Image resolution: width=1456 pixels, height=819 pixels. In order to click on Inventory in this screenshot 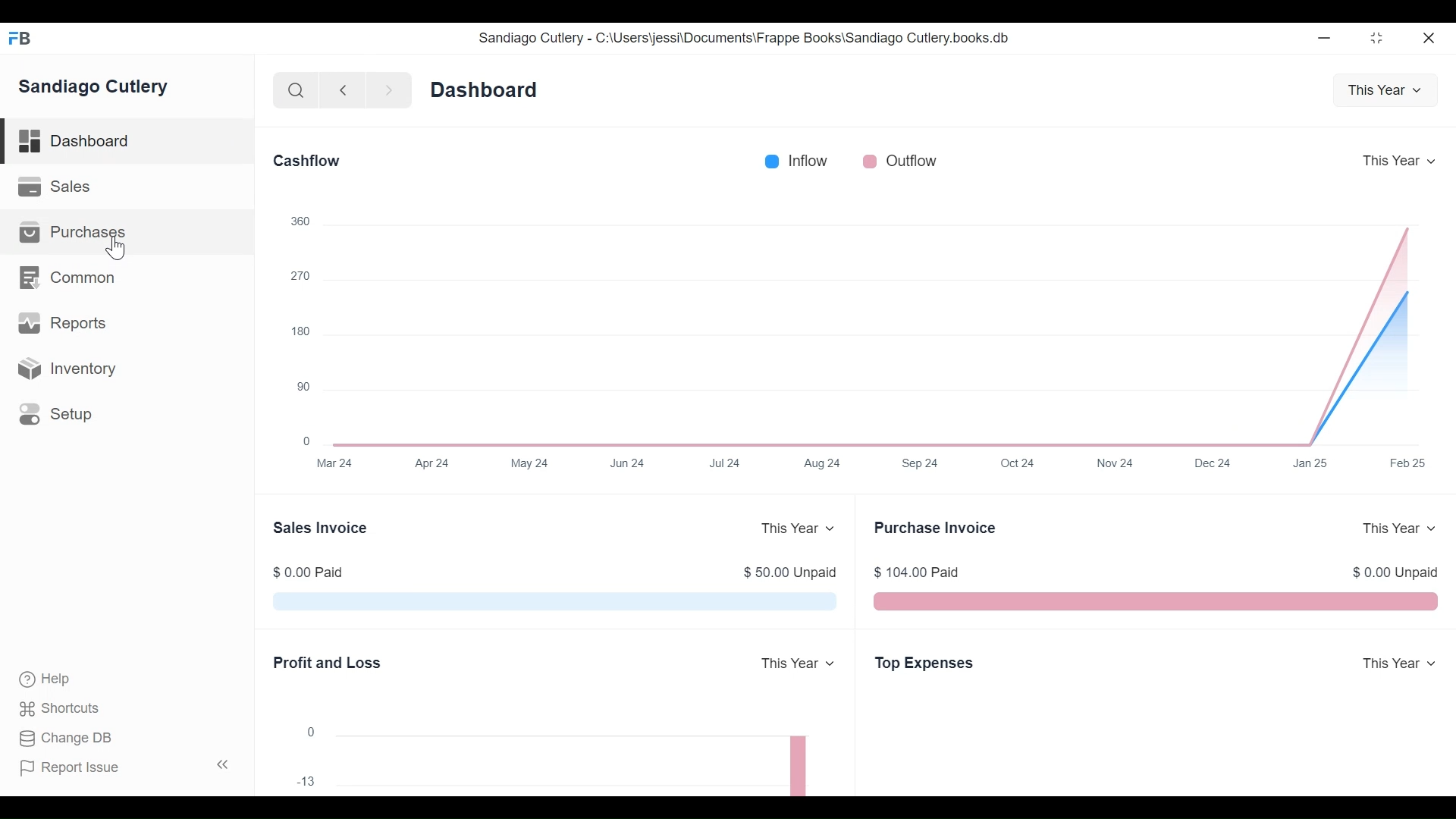, I will do `click(64, 367)`.